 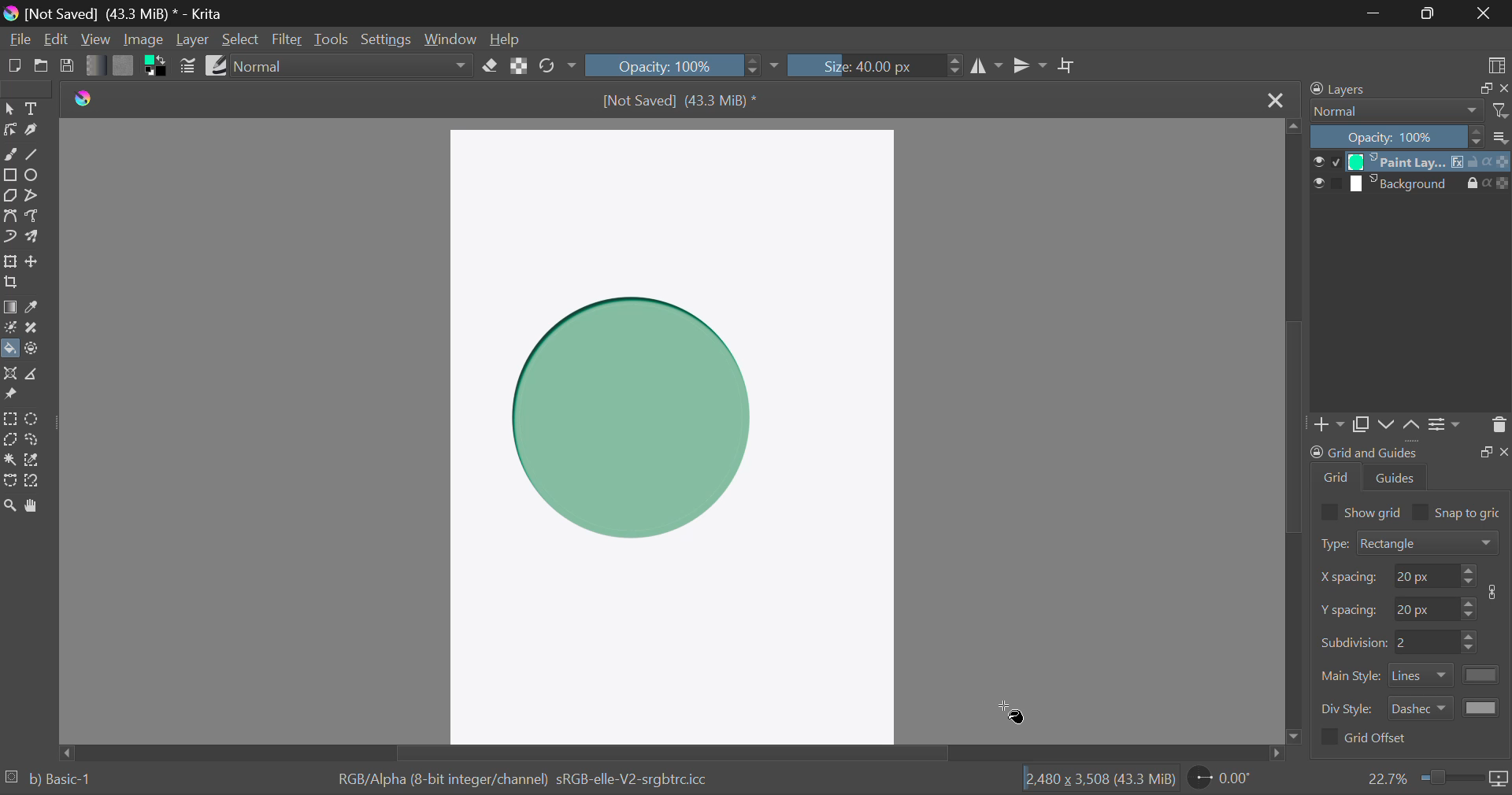 What do you see at coordinates (1280, 752) in the screenshot?
I see `move right` at bounding box center [1280, 752].